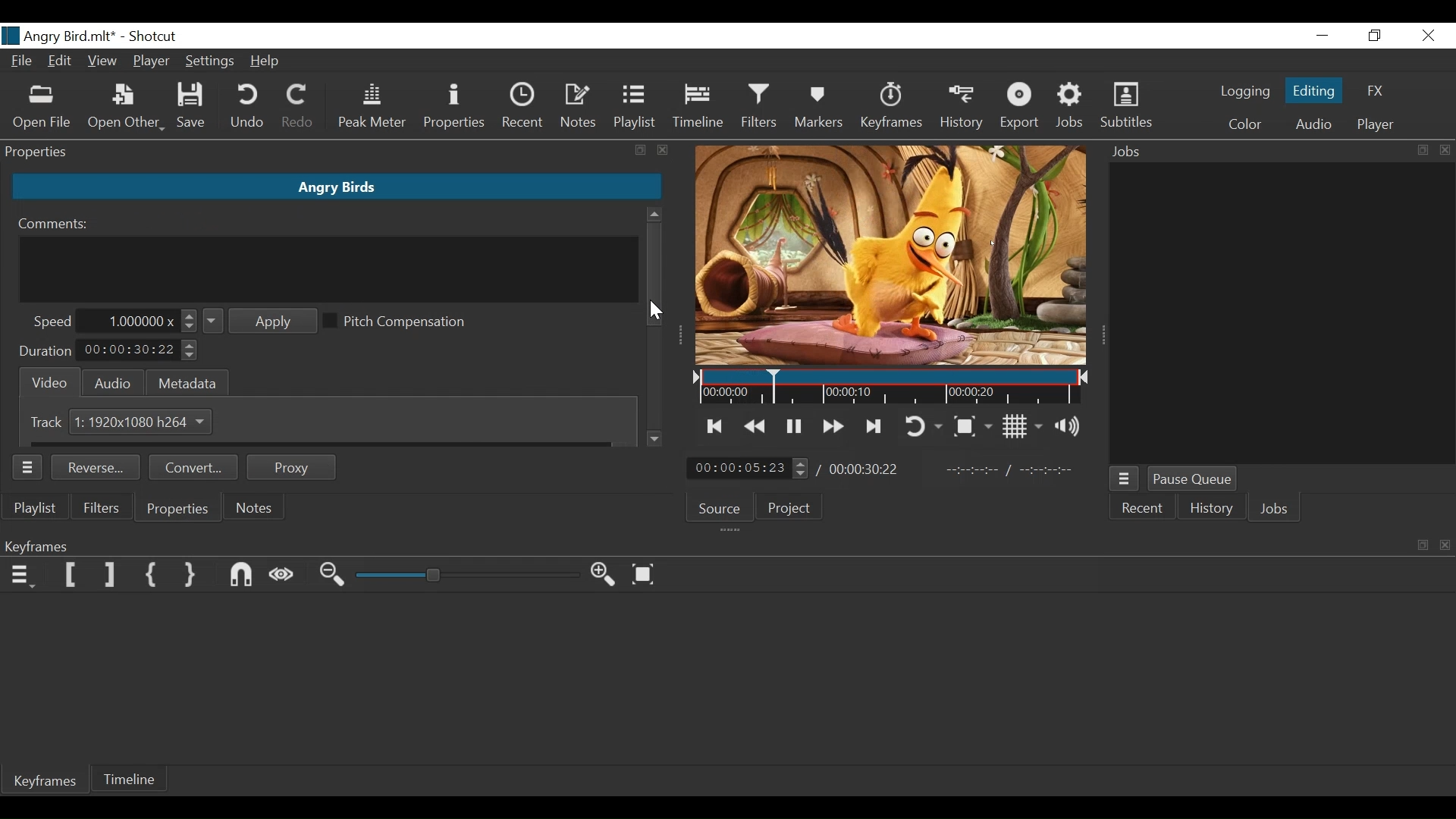 The width and height of the screenshot is (1456, 819). Describe the element at coordinates (193, 576) in the screenshot. I see `Set Second Simple keyframe` at that location.